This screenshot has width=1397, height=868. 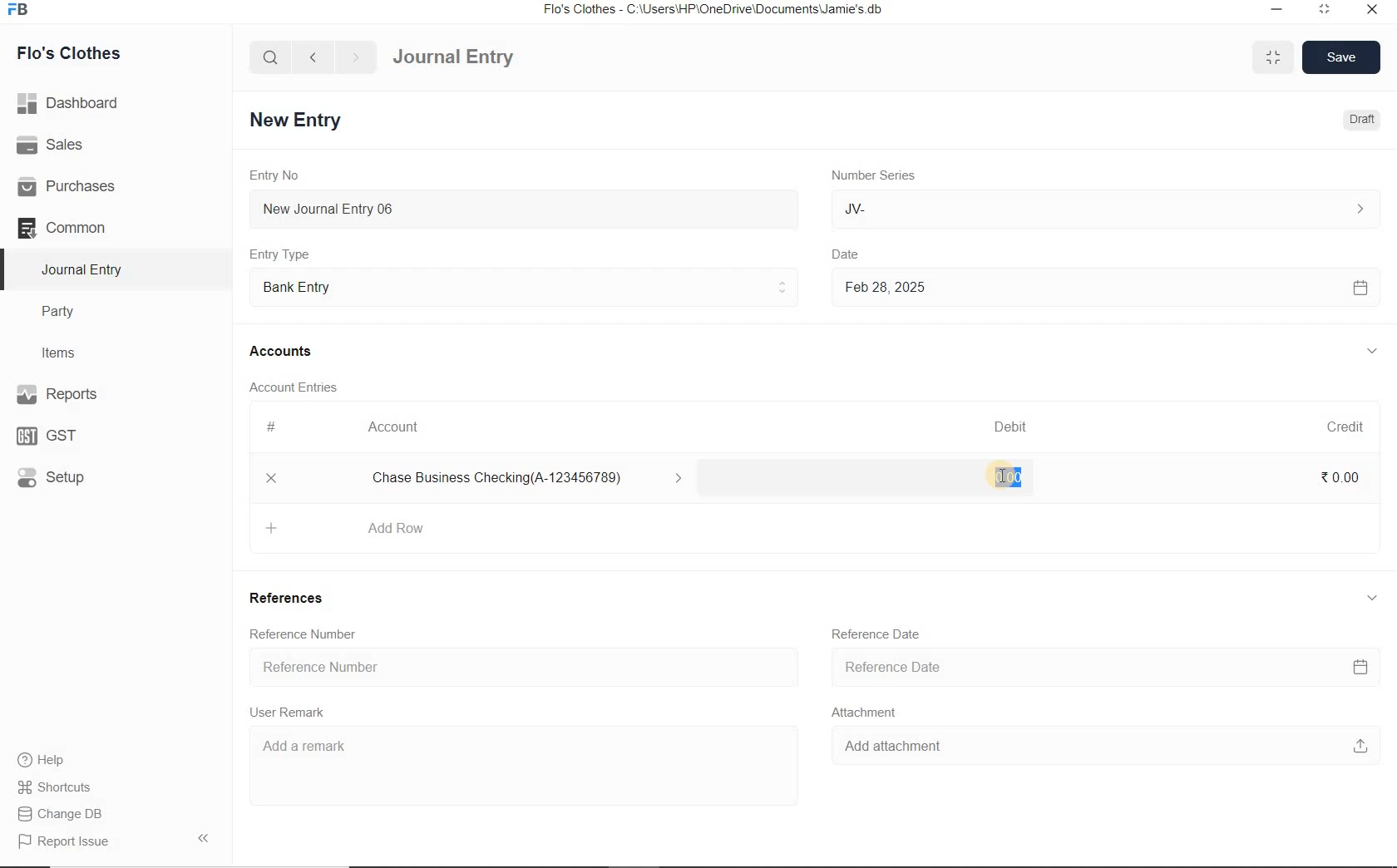 I want to click on Report Issue, so click(x=63, y=841).